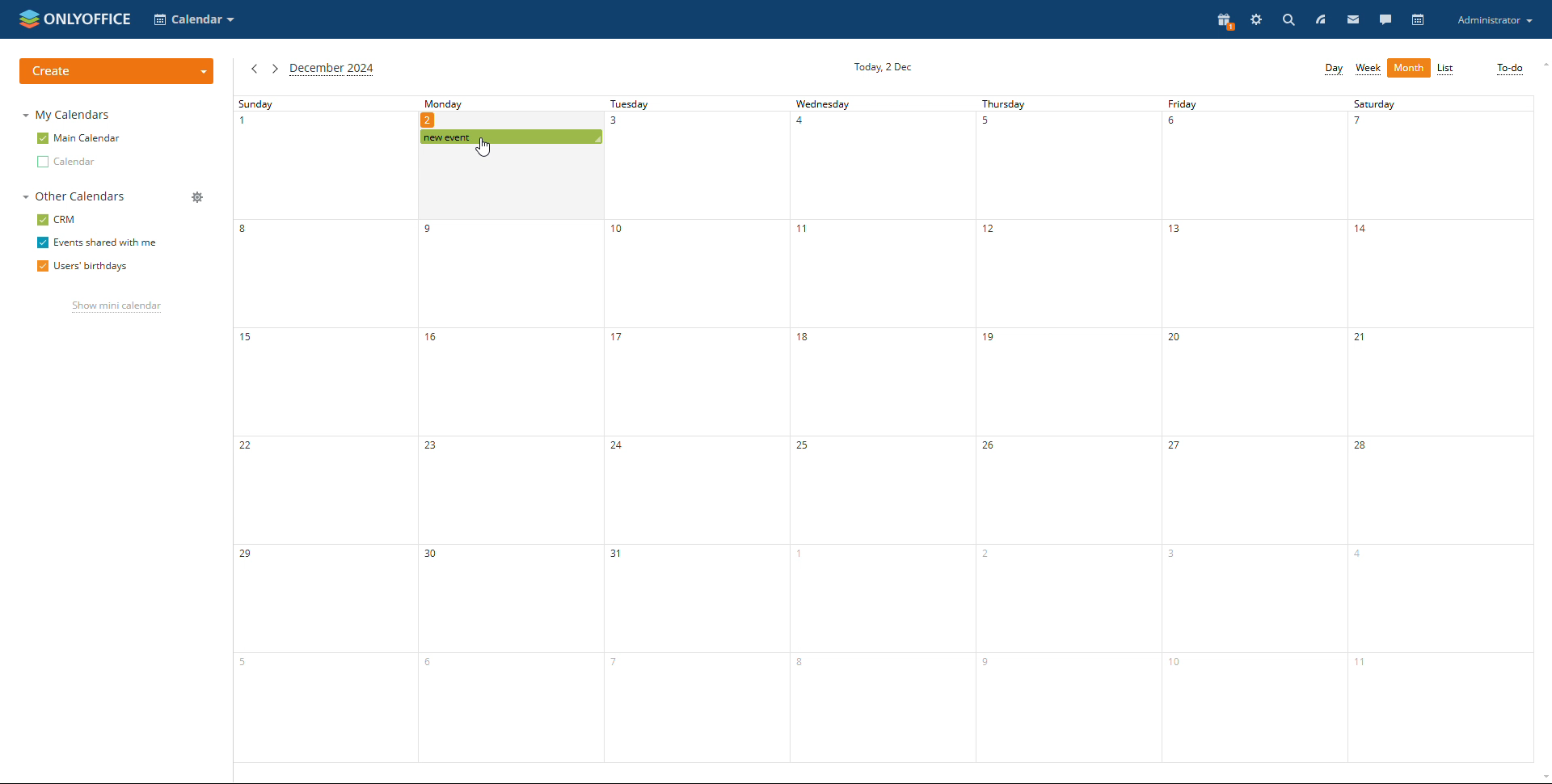  Describe the element at coordinates (1542, 778) in the screenshot. I see `scroll down` at that location.